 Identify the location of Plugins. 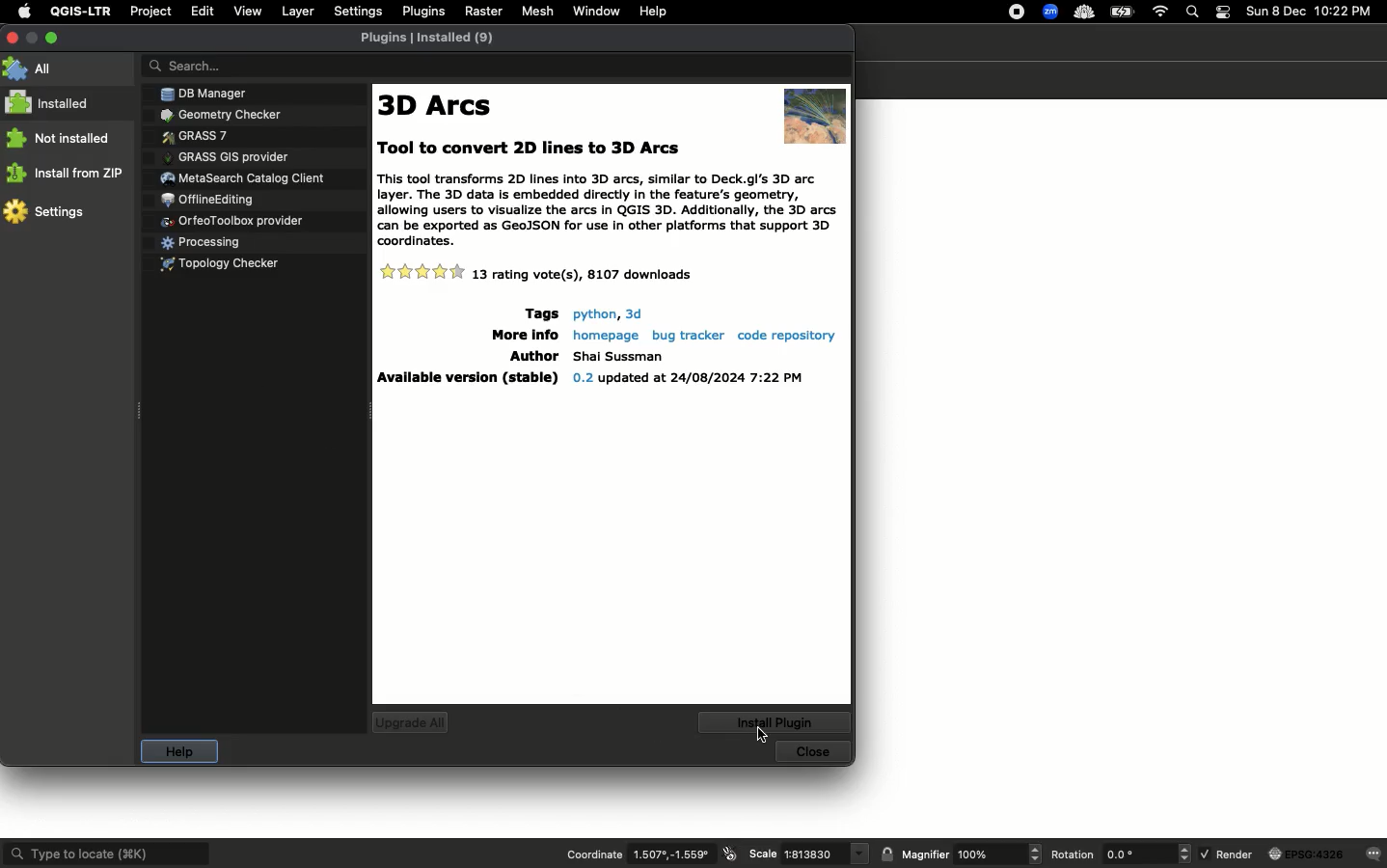
(225, 154).